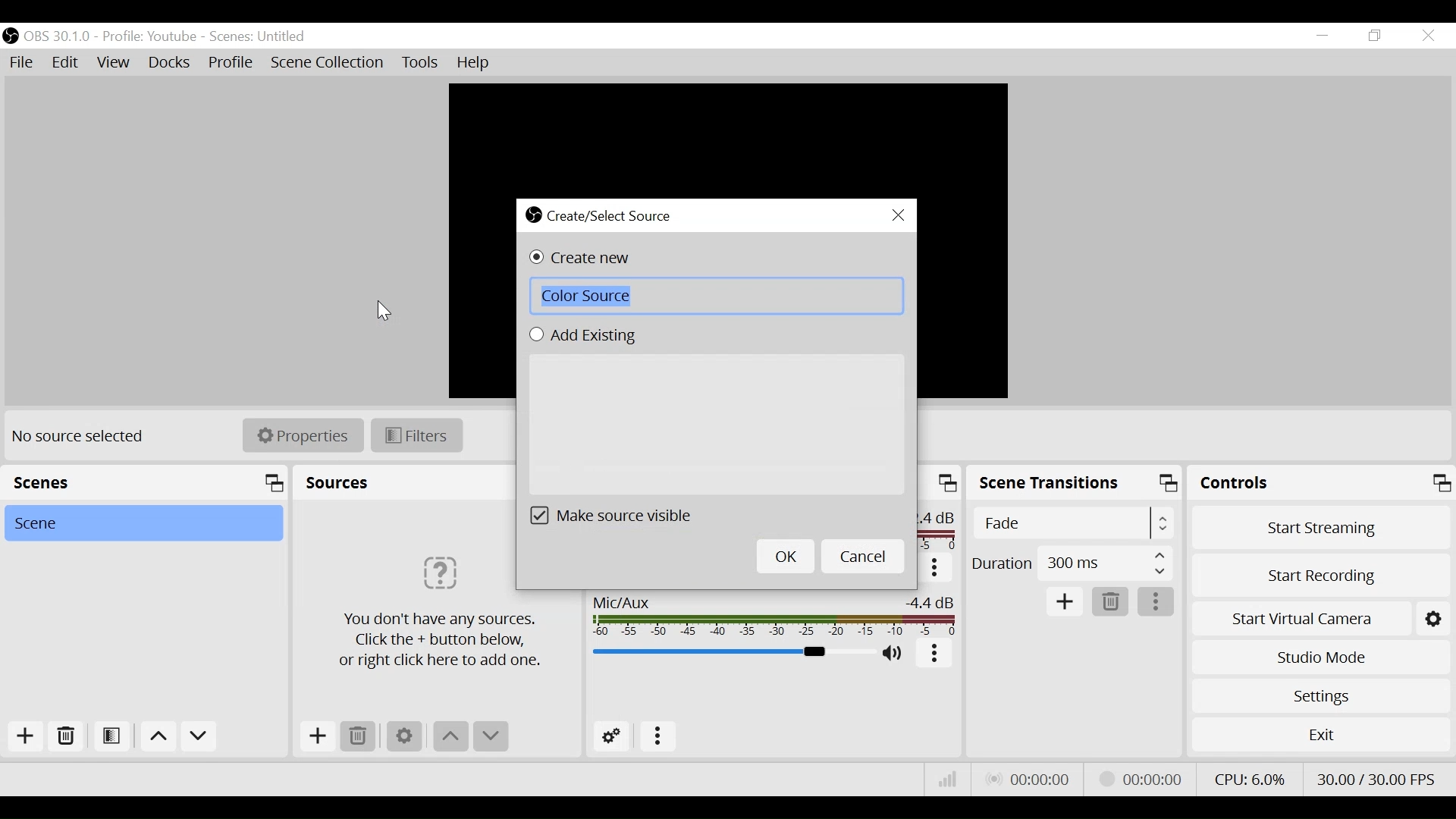 This screenshot has height=819, width=1456. I want to click on Filters, so click(417, 436).